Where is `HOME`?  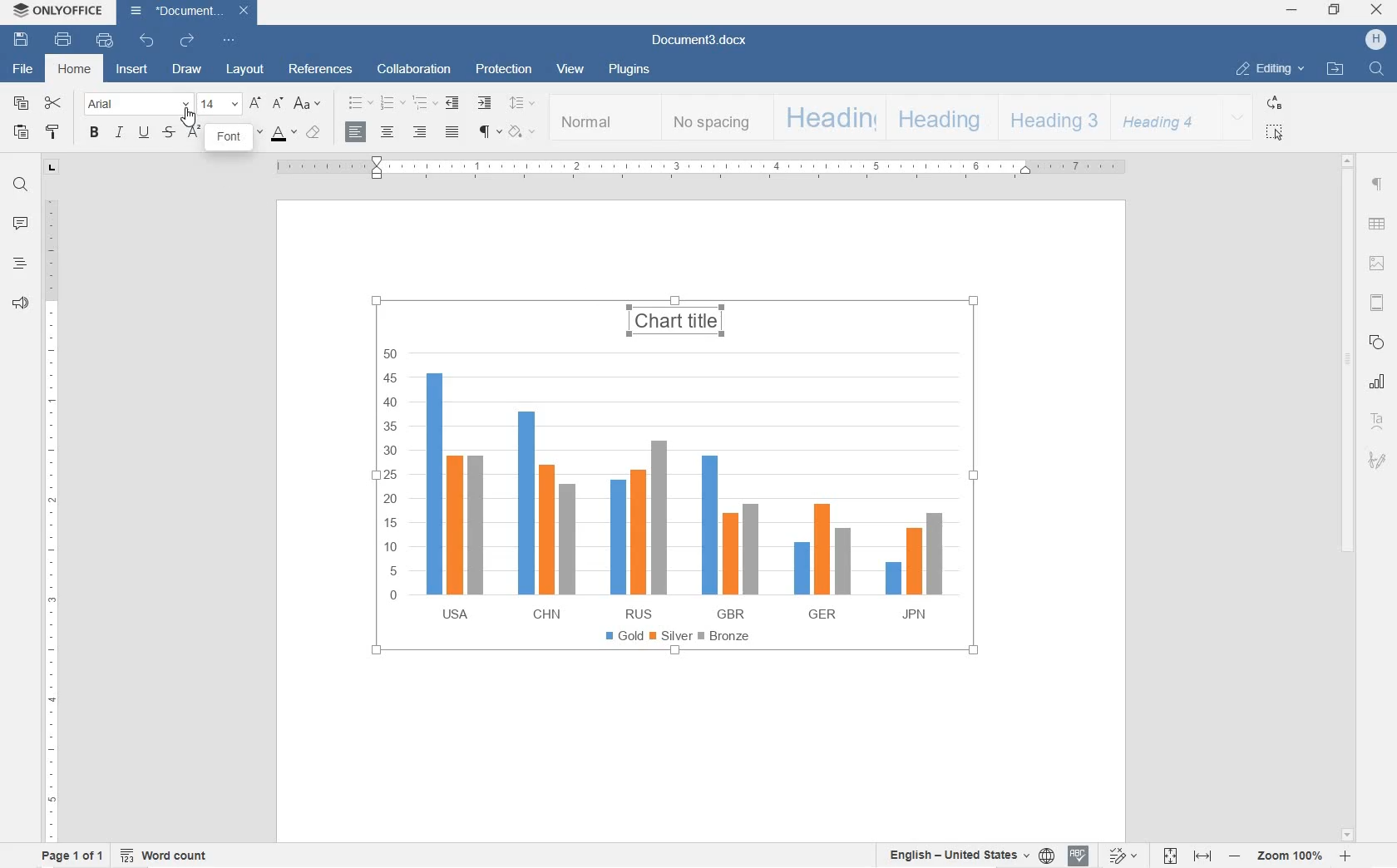
HOME is located at coordinates (74, 71).